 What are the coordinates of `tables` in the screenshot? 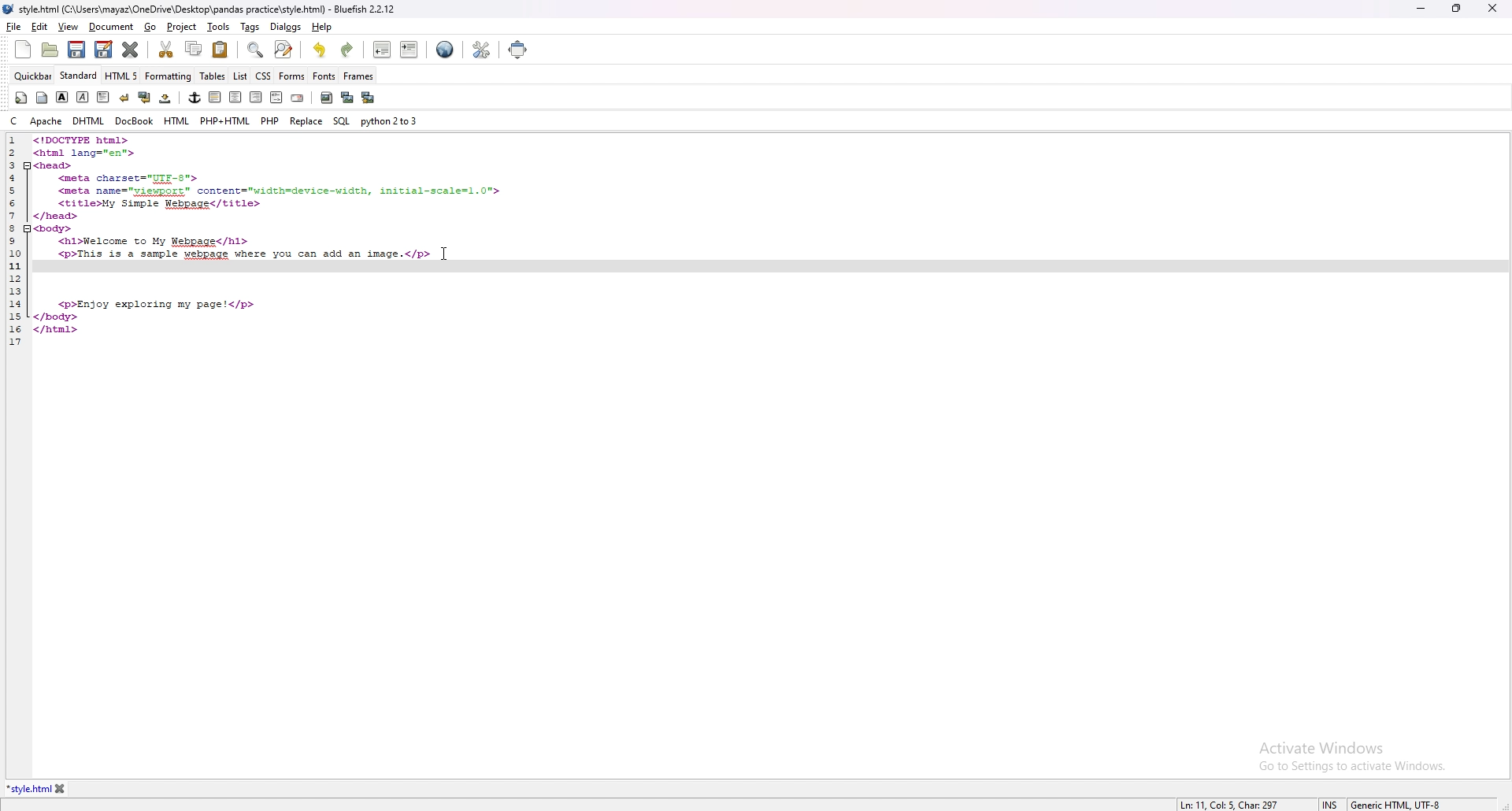 It's located at (213, 77).